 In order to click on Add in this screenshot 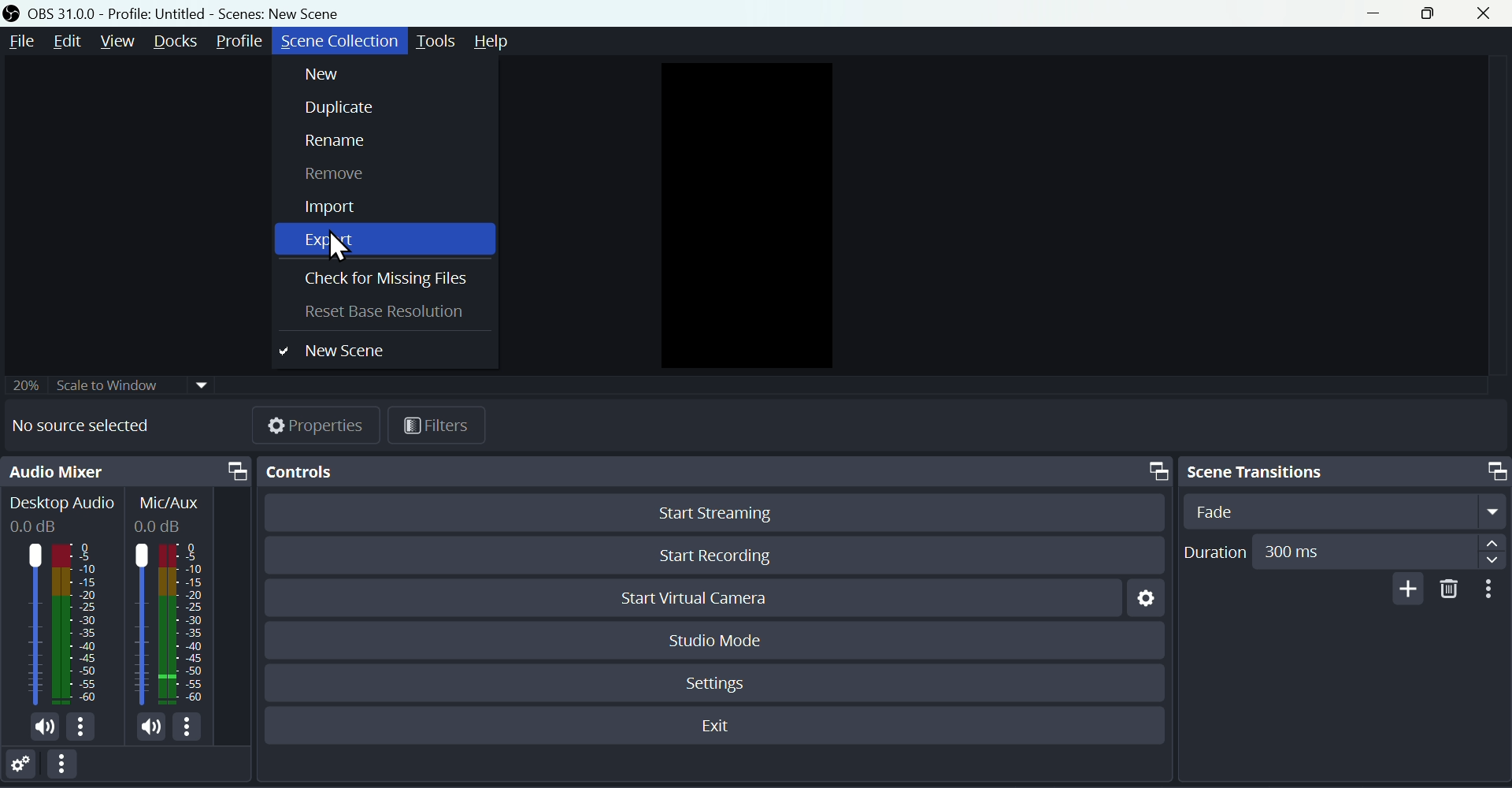, I will do `click(1404, 589)`.